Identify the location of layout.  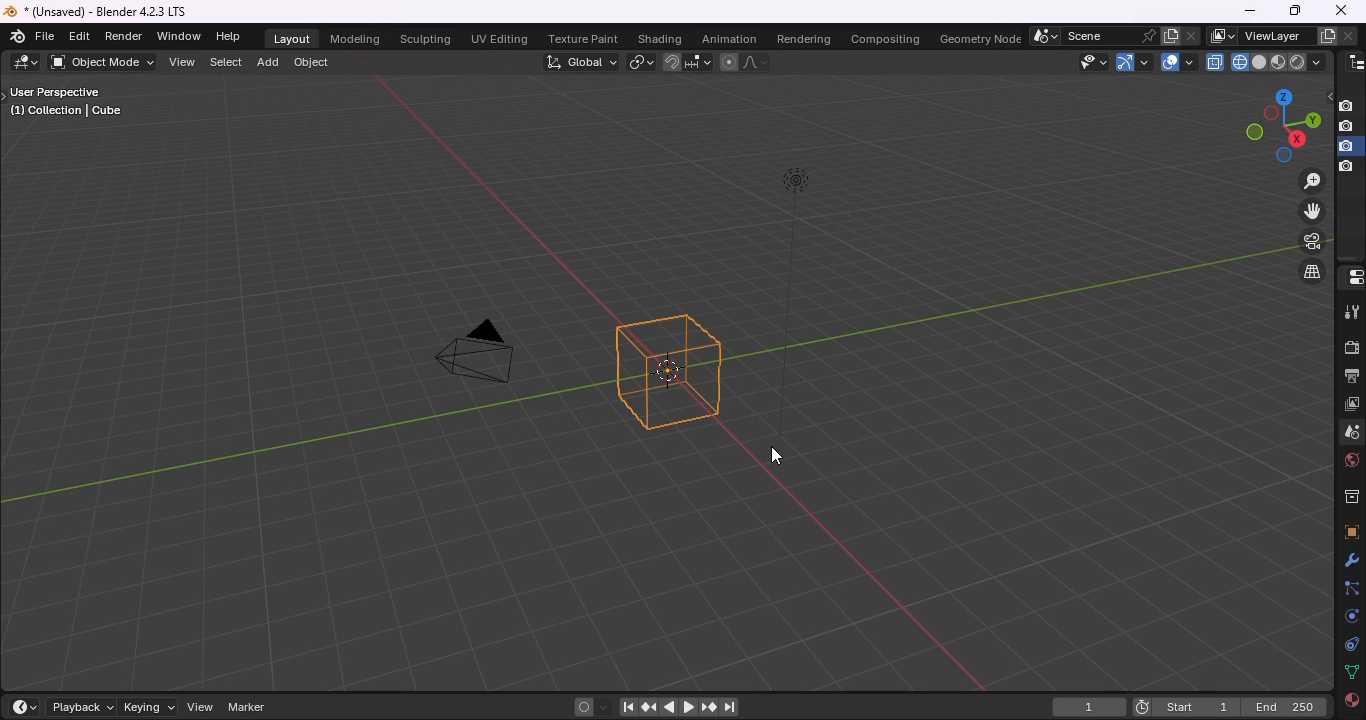
(292, 39).